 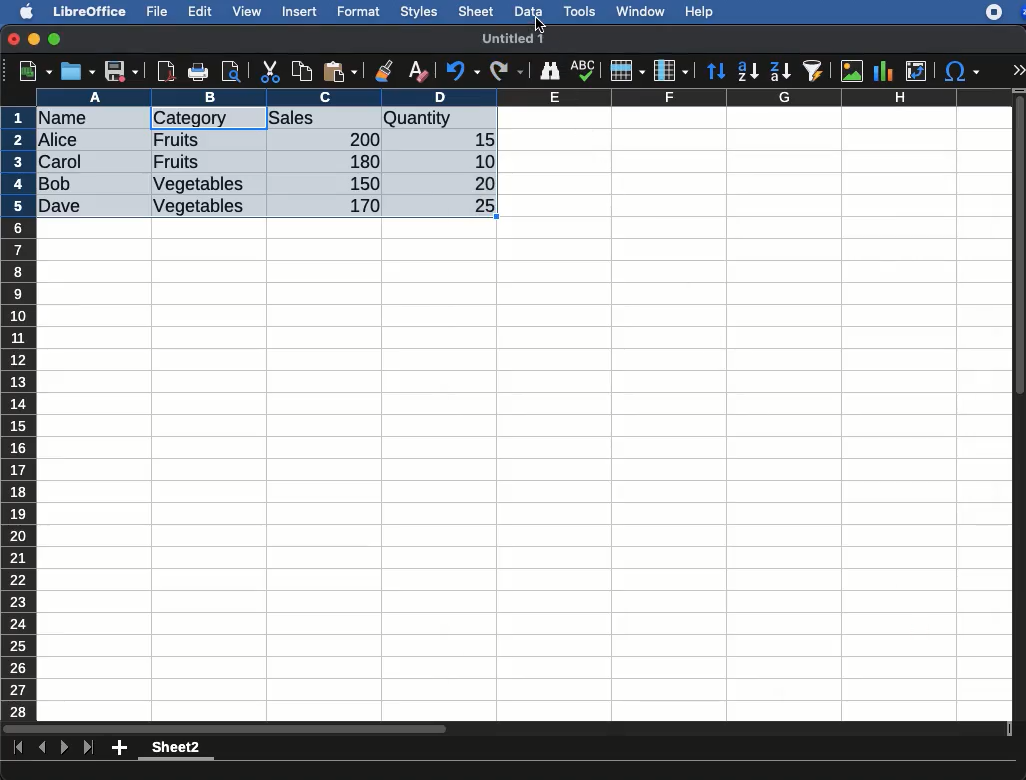 I want to click on save, so click(x=79, y=71).